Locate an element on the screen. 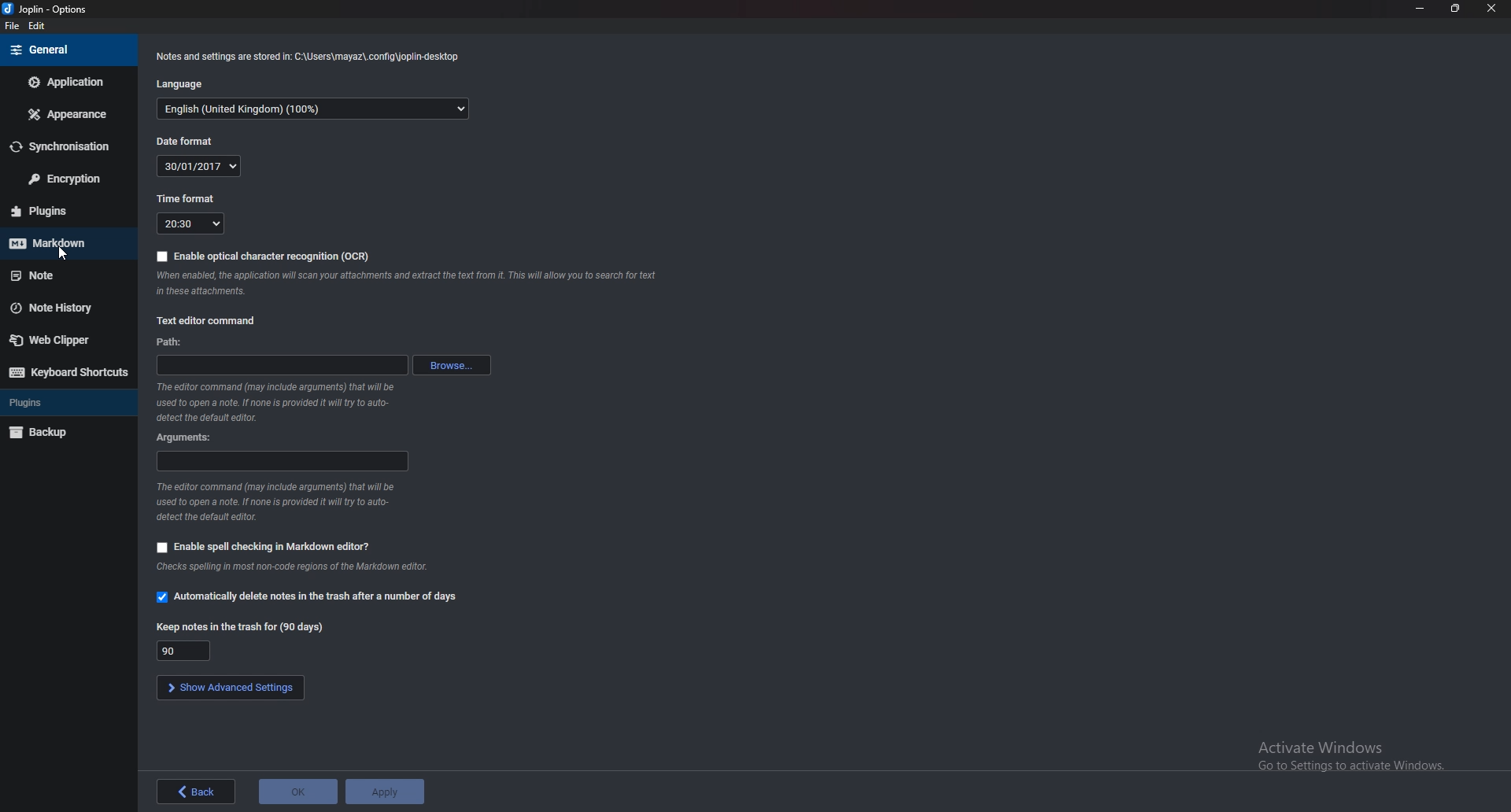 Image resolution: width=1511 pixels, height=812 pixels. Keyboard shortcuts is located at coordinates (68, 372).